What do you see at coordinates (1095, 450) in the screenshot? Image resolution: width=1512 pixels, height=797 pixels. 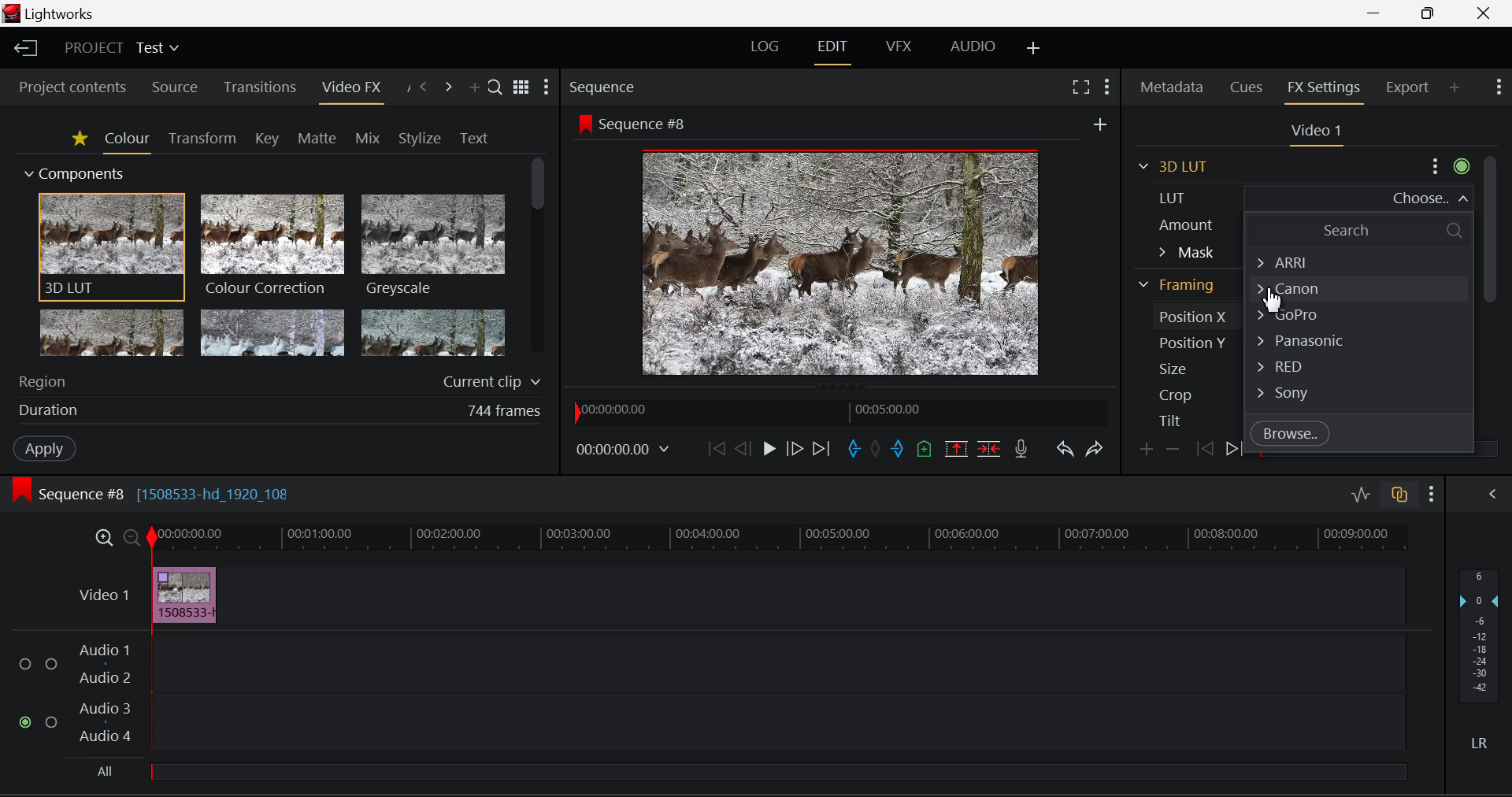 I see `Redo` at bounding box center [1095, 450].